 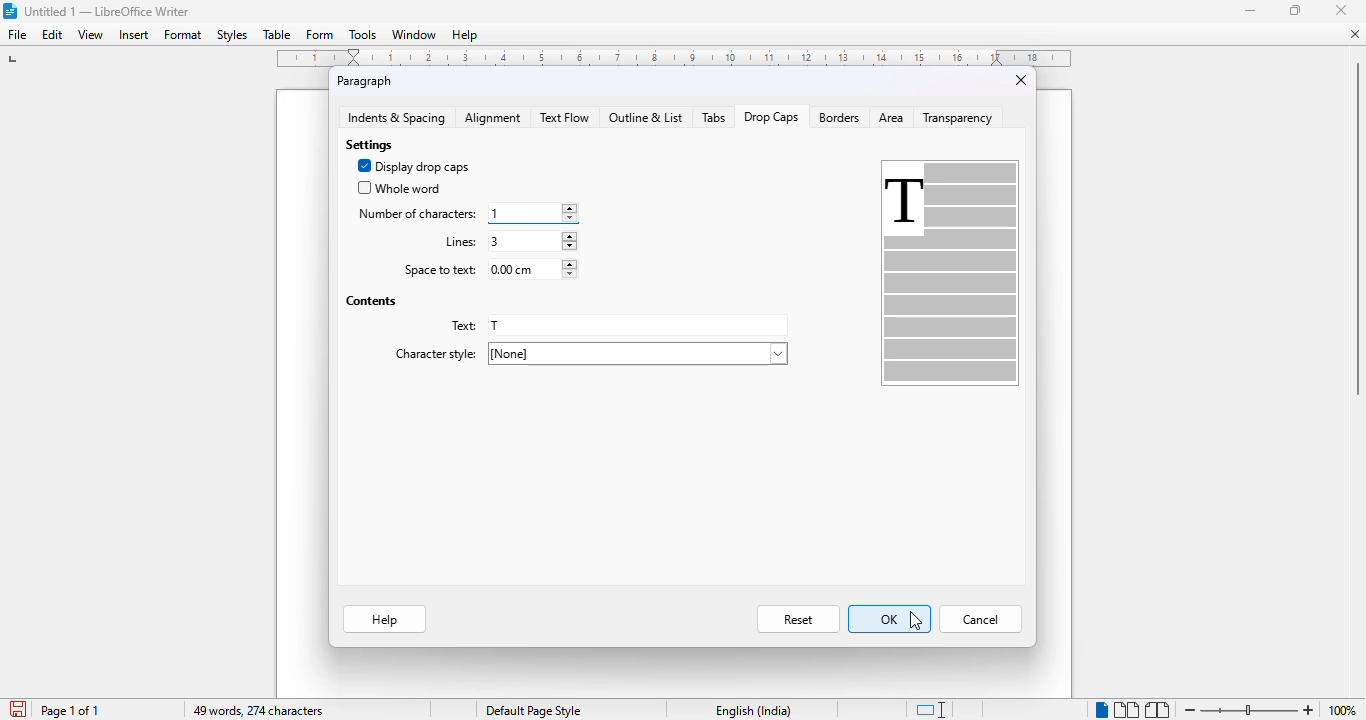 I want to click on tabs, so click(x=715, y=117).